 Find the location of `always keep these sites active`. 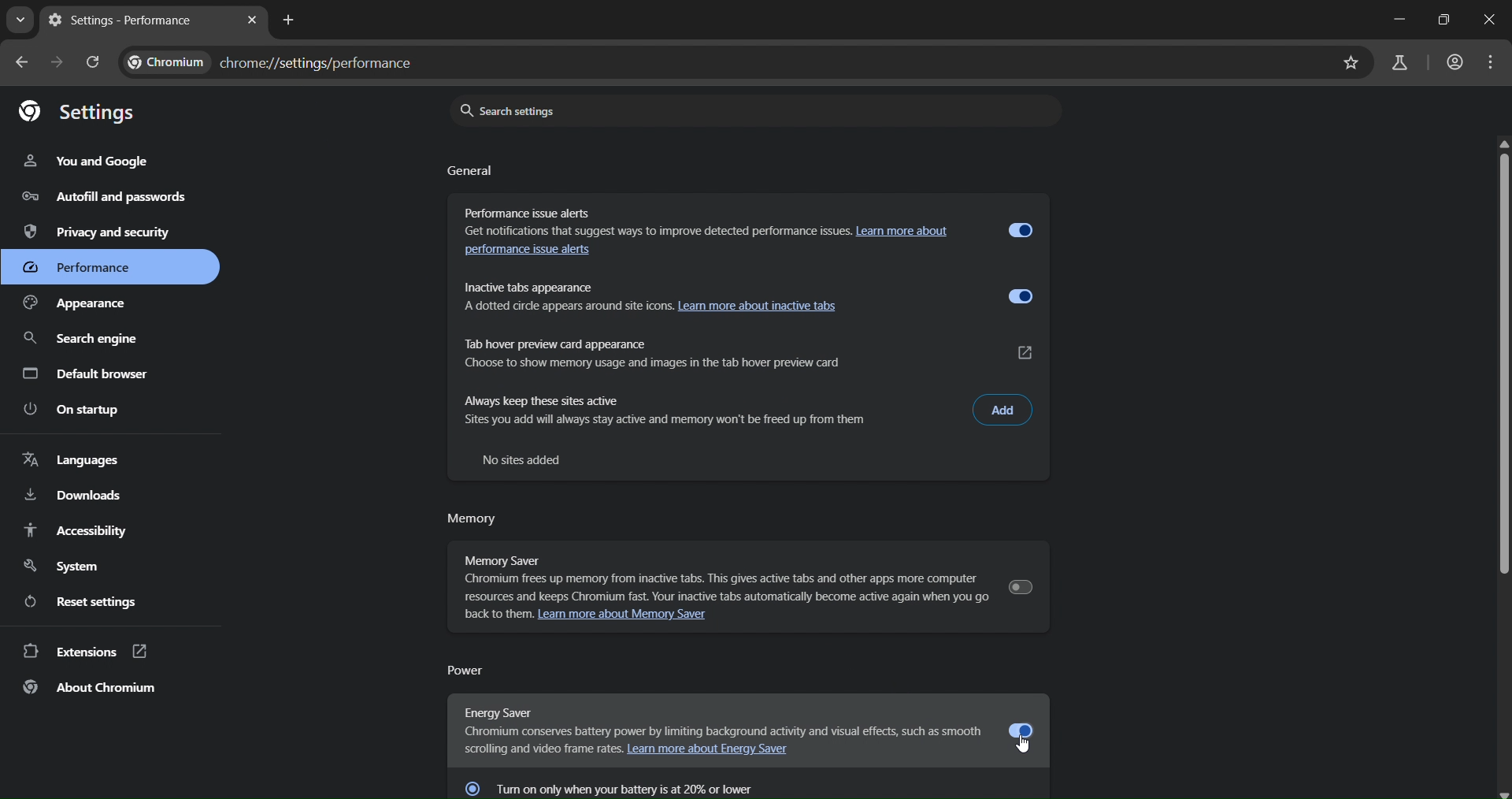

always keep these sites active is located at coordinates (707, 411).